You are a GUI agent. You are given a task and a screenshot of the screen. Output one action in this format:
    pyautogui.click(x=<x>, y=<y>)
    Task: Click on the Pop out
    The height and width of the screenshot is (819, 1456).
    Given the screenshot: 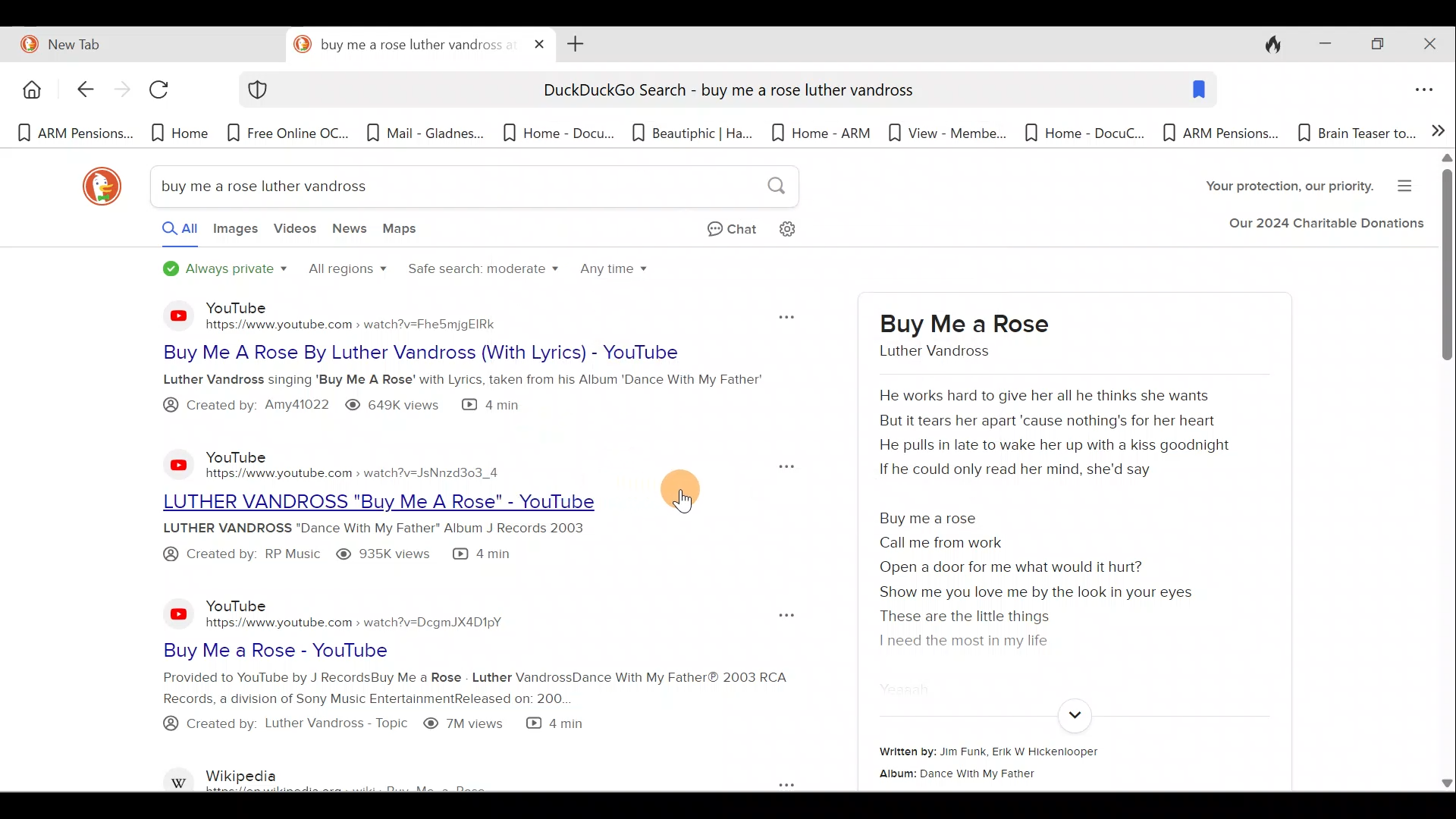 What is the action you would take?
    pyautogui.click(x=773, y=465)
    